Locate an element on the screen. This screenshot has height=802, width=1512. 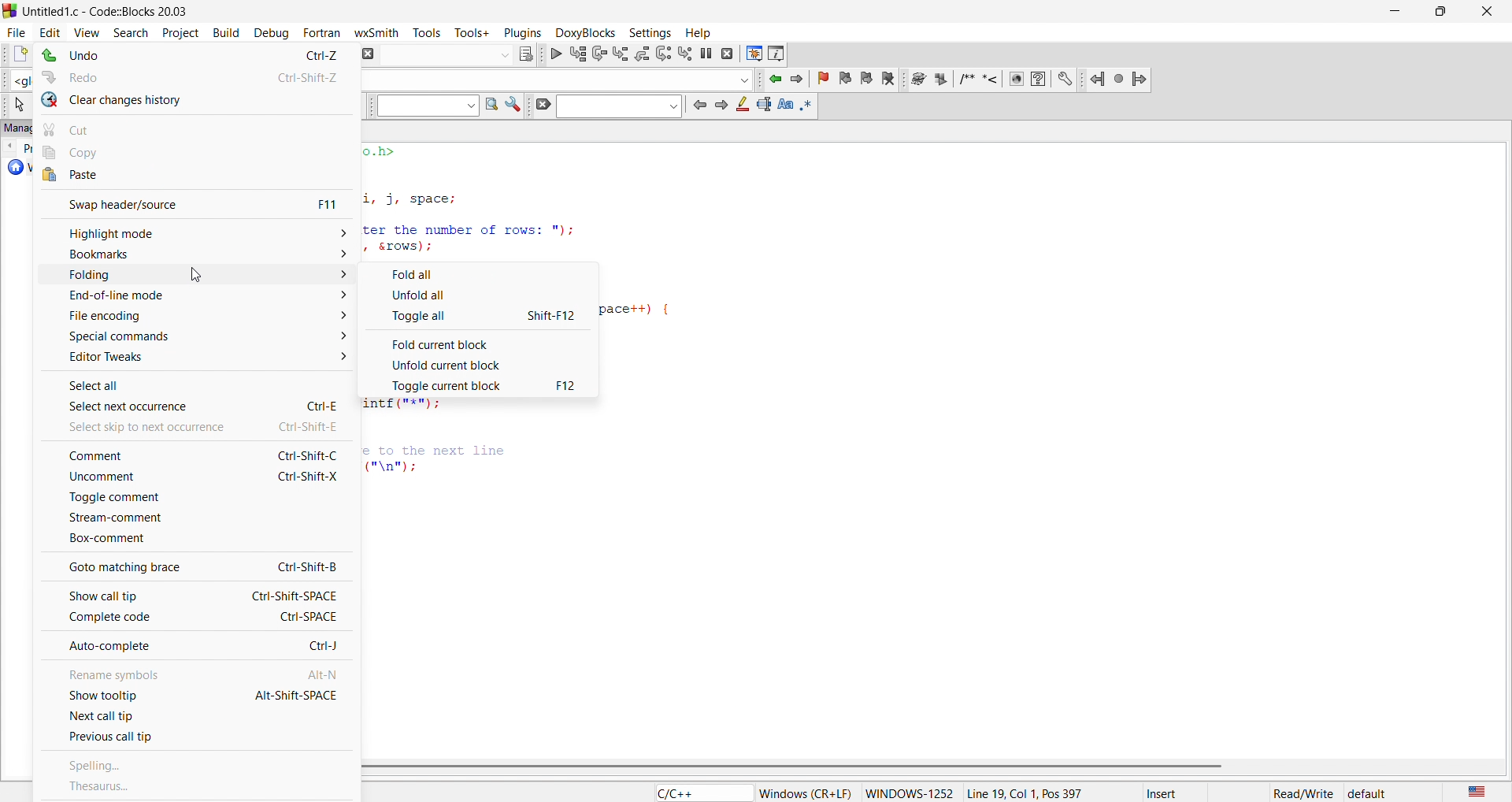
toggle comment is located at coordinates (191, 498).